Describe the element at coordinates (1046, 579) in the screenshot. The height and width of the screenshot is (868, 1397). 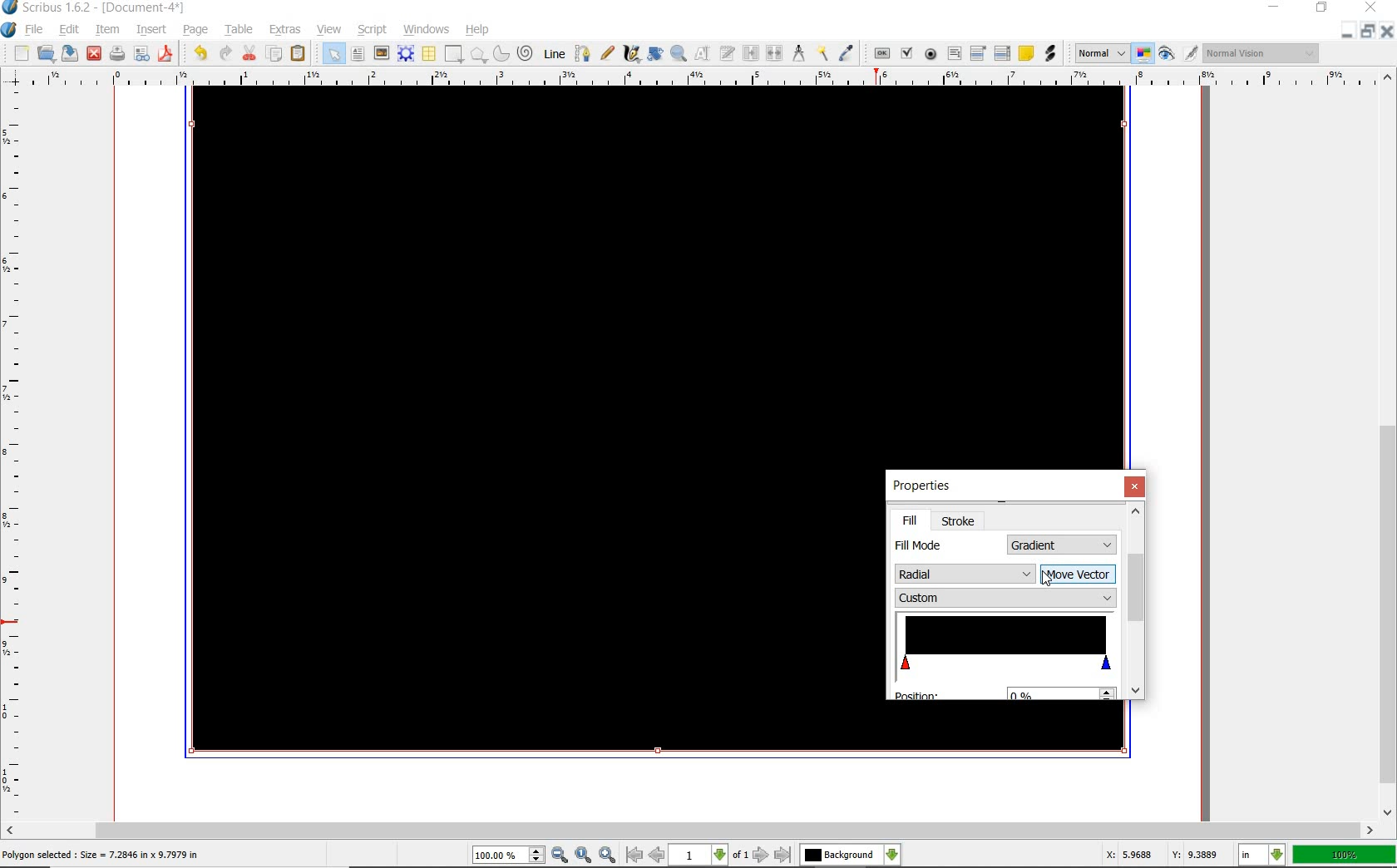
I see `Cursor` at that location.